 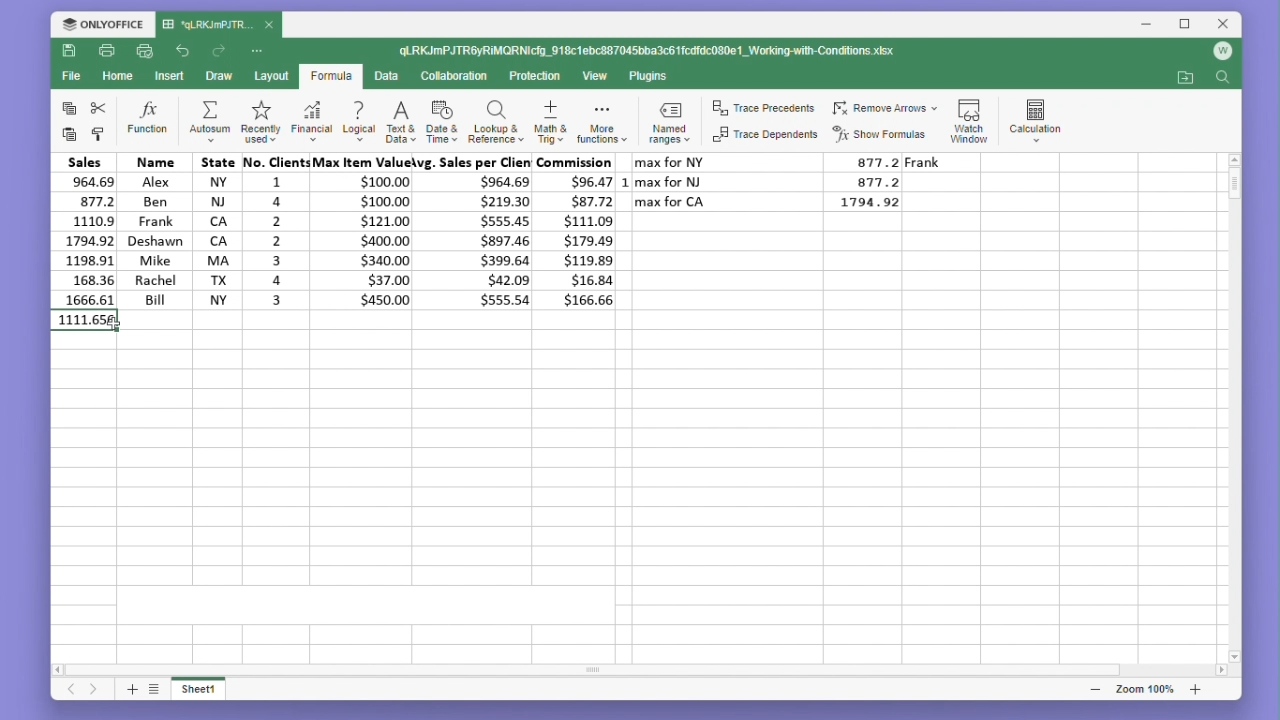 I want to click on Function, so click(x=149, y=119).